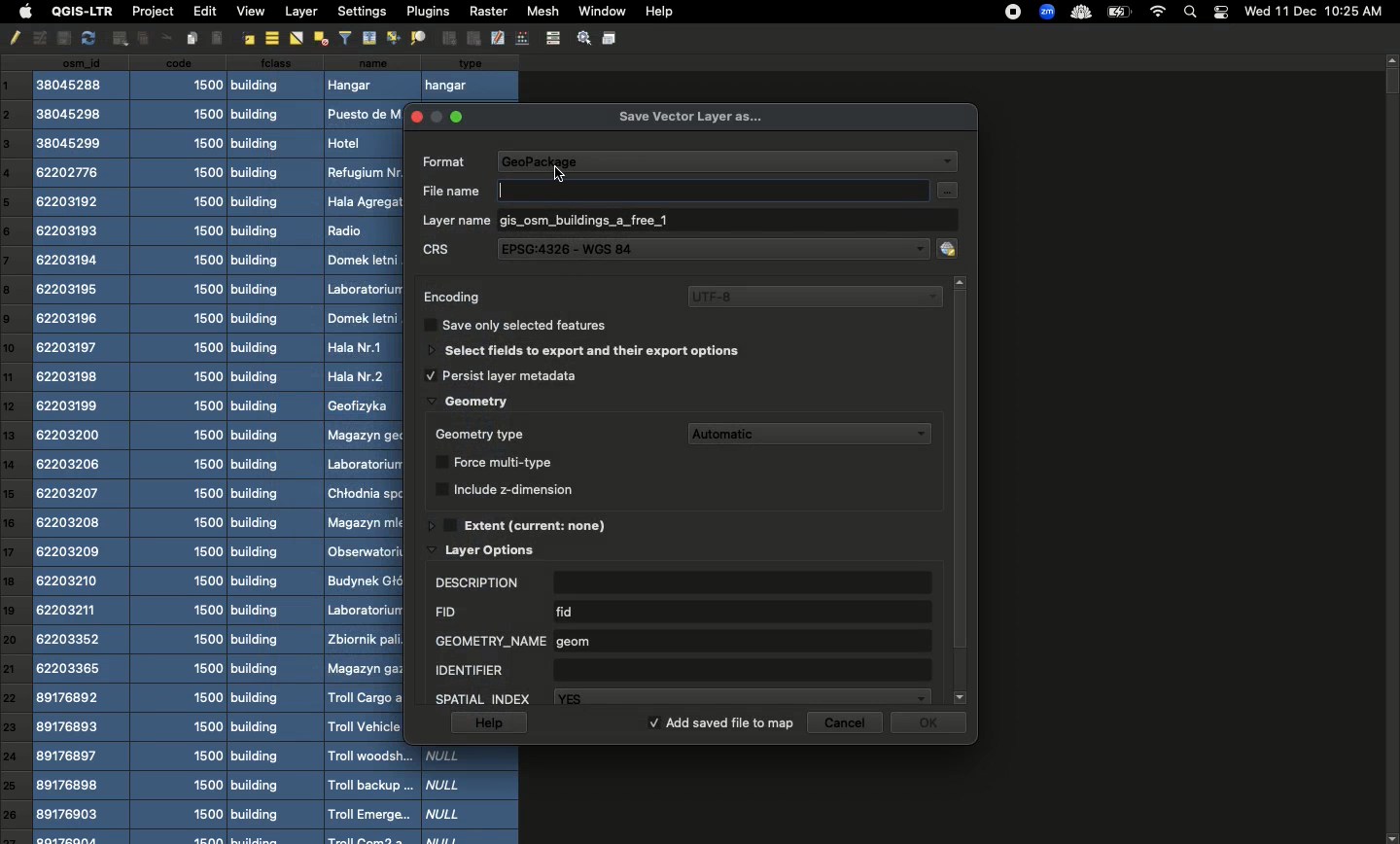  What do you see at coordinates (319, 38) in the screenshot?
I see `Distribute Objects Evenly` at bounding box center [319, 38].